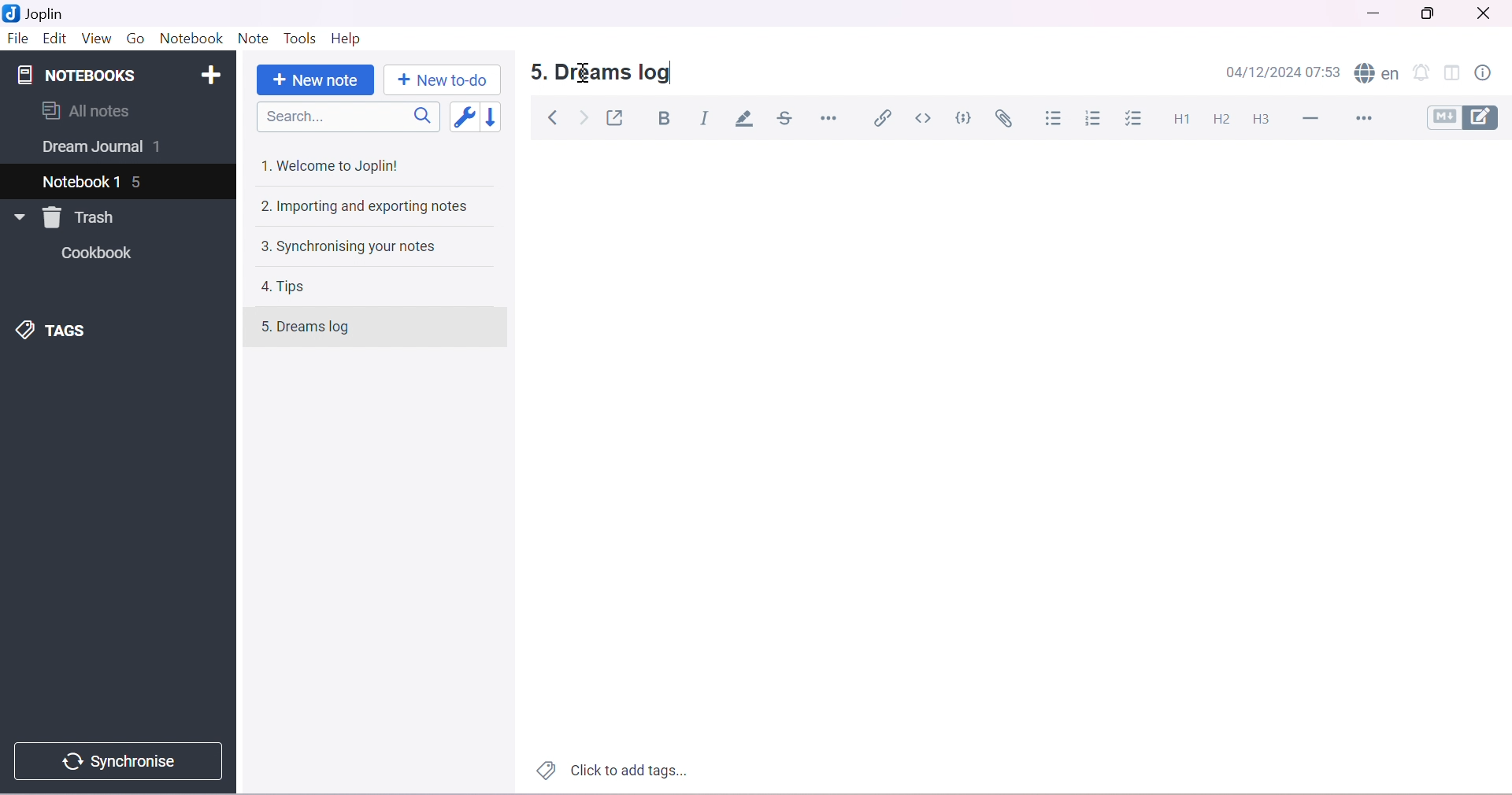  What do you see at coordinates (1424, 73) in the screenshot?
I see `Set alarm` at bounding box center [1424, 73].